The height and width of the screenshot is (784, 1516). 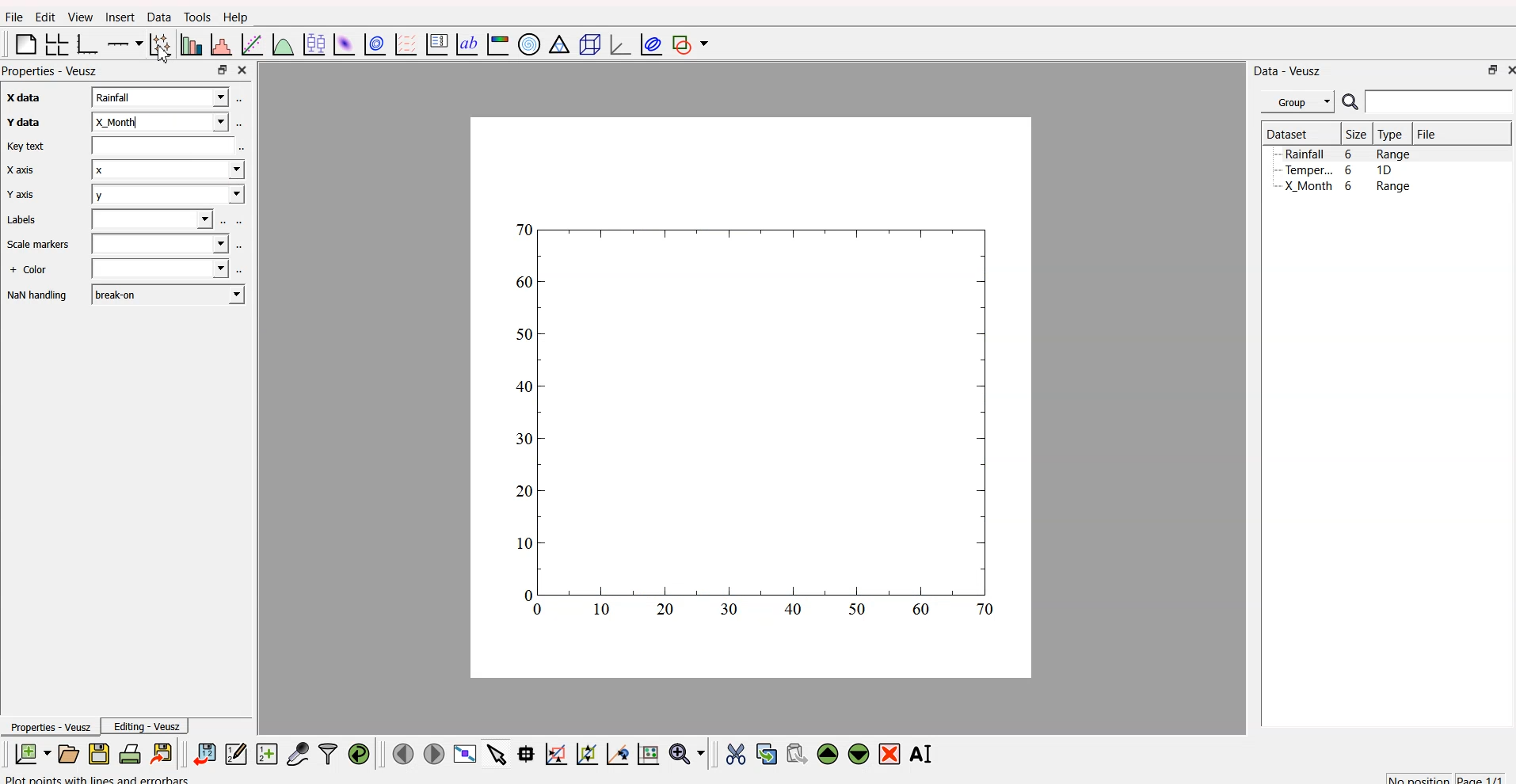 I want to click on Rainfall 6 Range, so click(x=1350, y=154).